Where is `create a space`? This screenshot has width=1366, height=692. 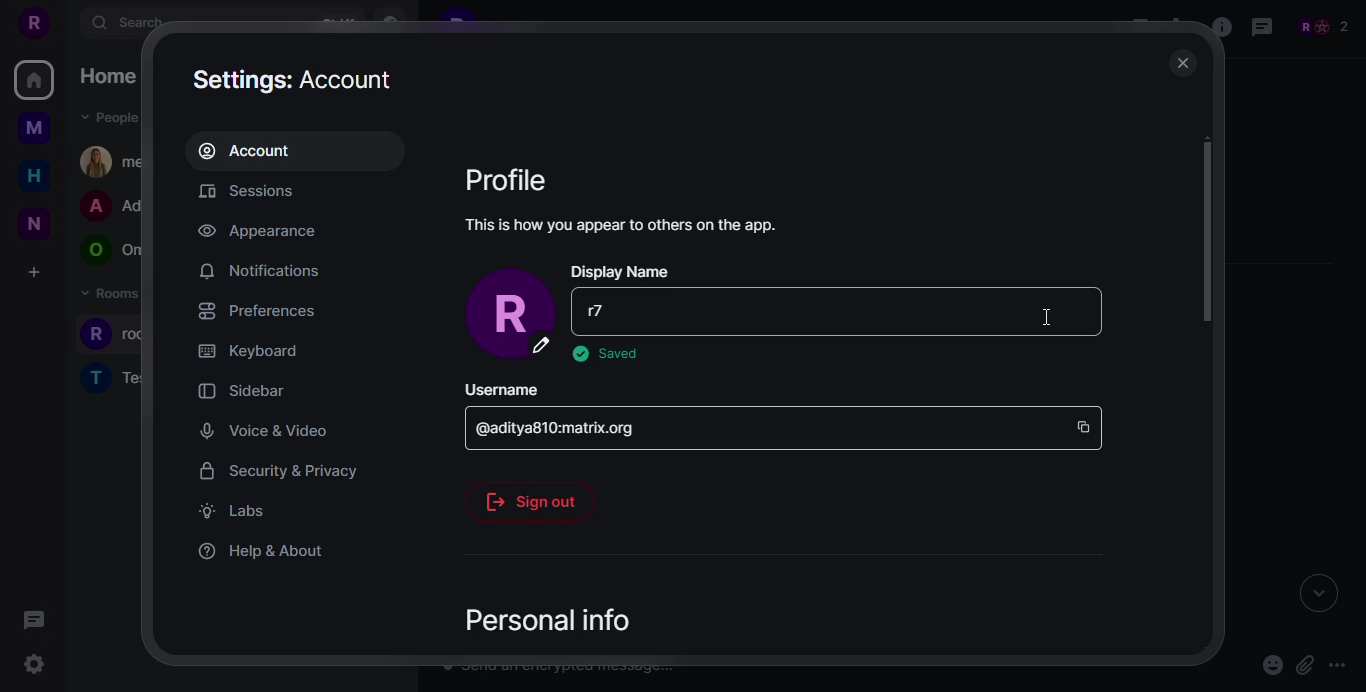
create a space is located at coordinates (33, 274).